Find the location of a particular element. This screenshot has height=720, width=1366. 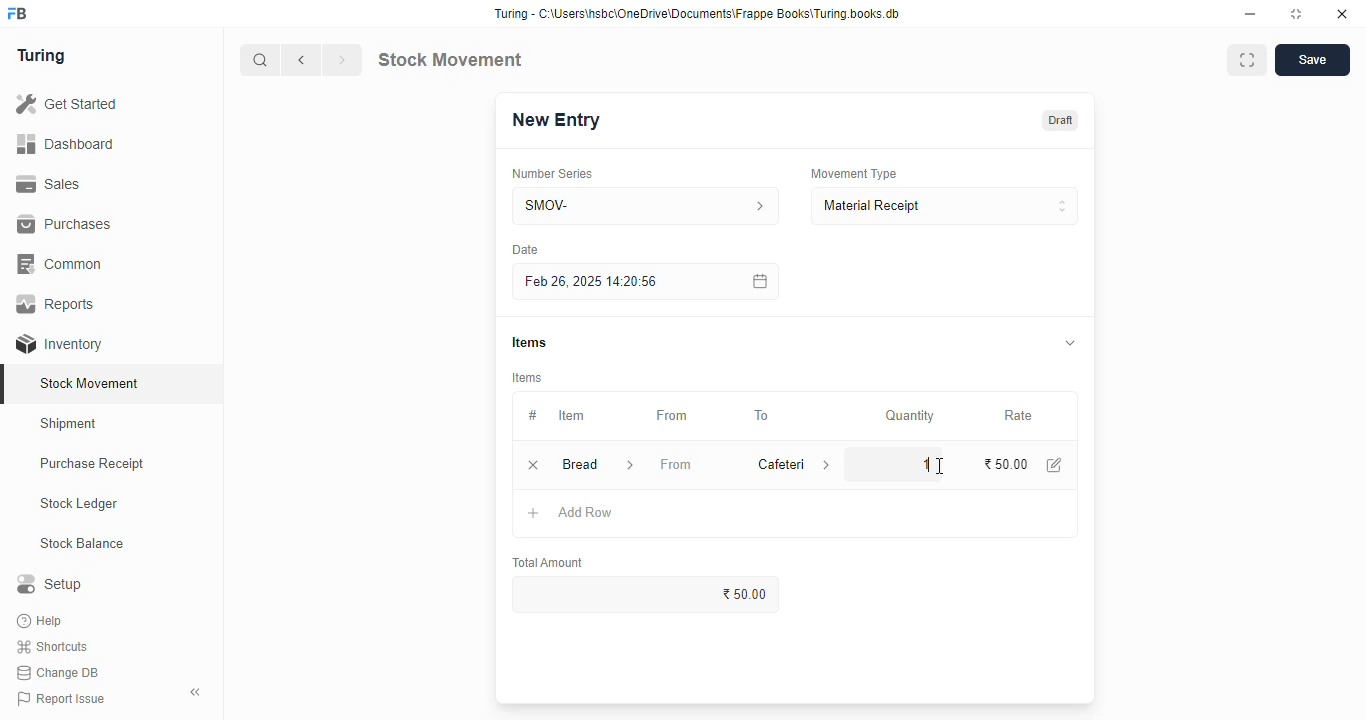

setup is located at coordinates (49, 583).